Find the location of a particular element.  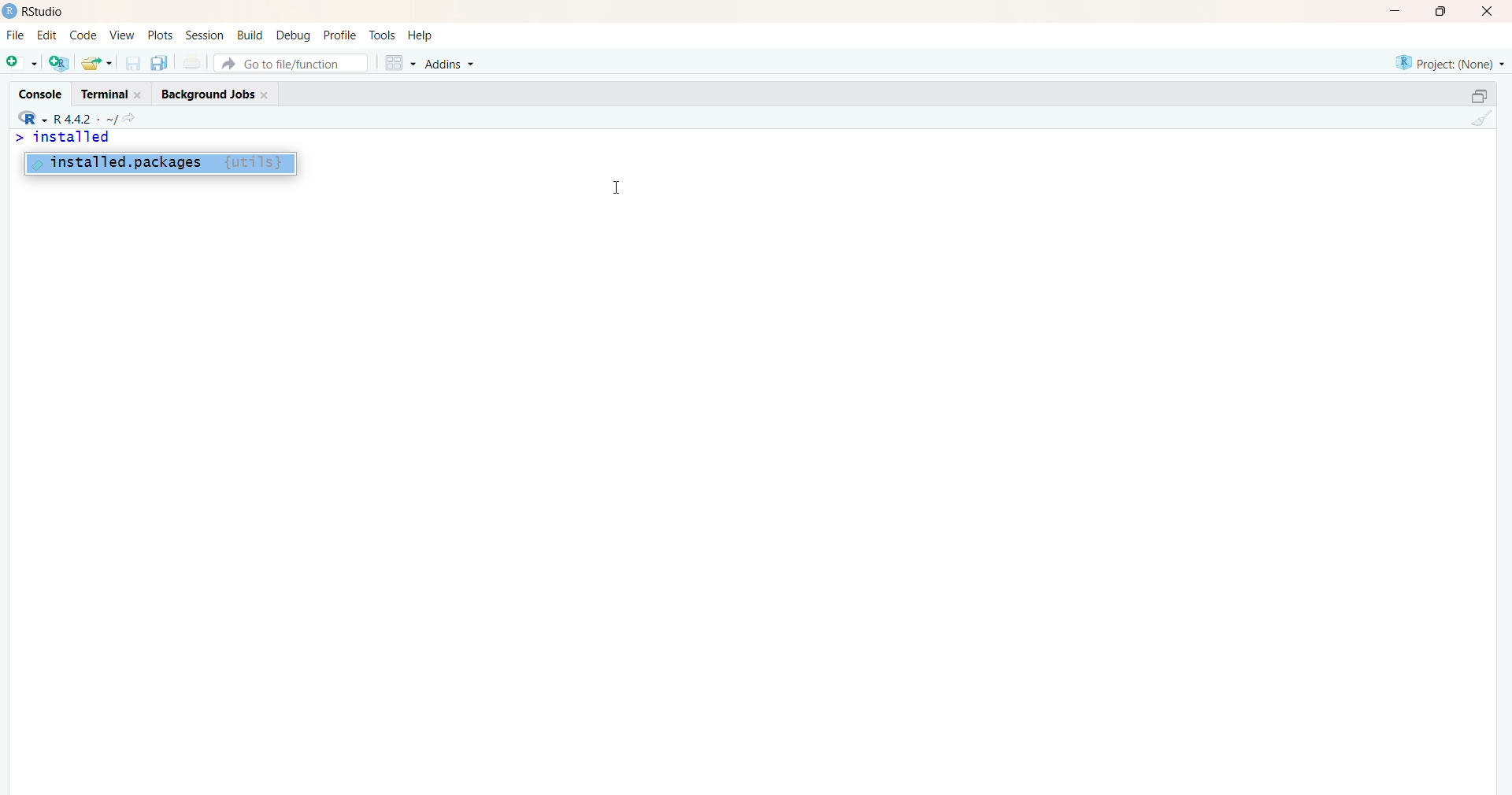

save all open documents is located at coordinates (159, 64).